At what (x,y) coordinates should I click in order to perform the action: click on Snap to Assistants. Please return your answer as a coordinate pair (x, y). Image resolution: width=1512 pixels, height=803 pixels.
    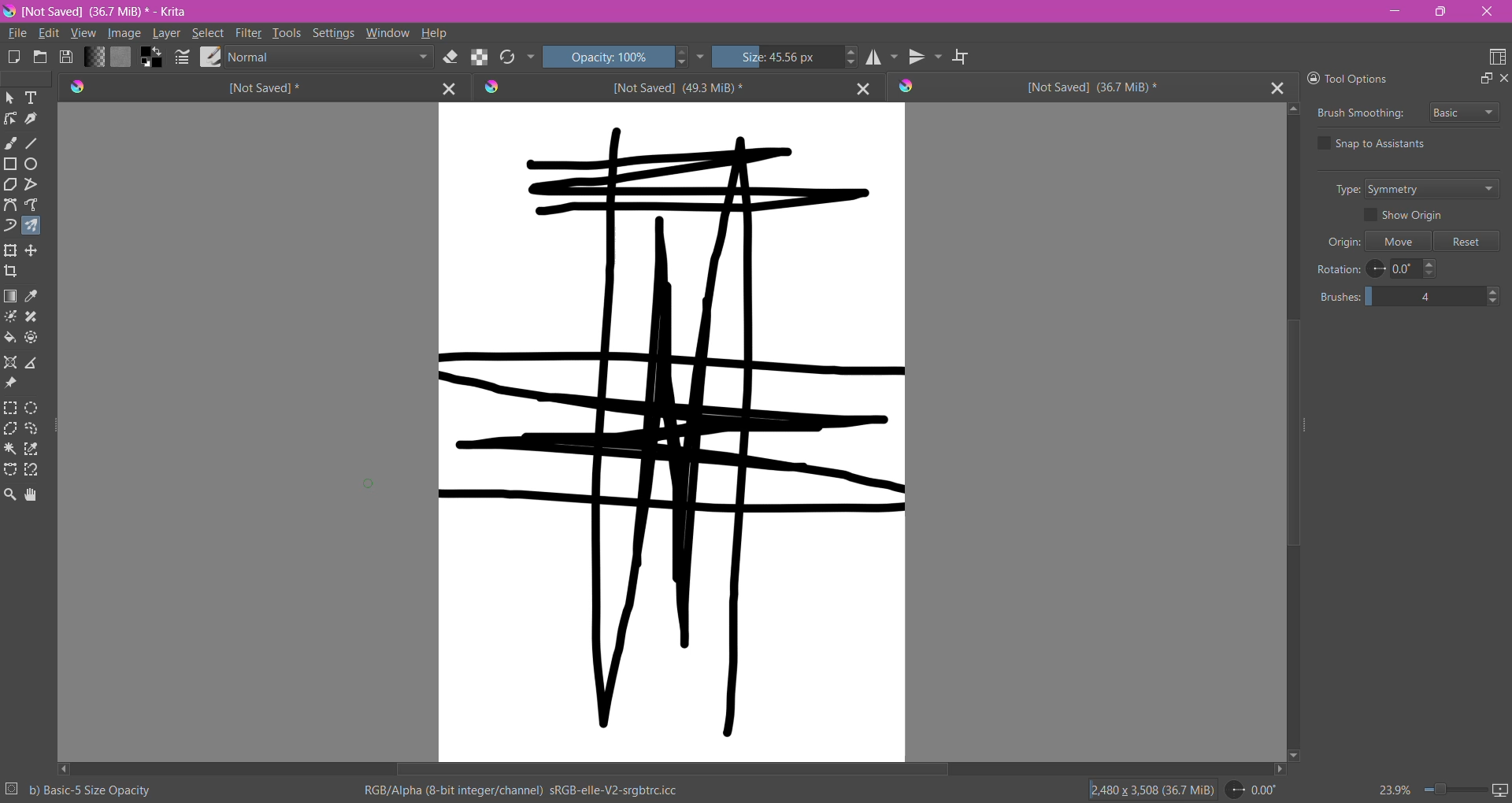
    Looking at the image, I should click on (1387, 144).